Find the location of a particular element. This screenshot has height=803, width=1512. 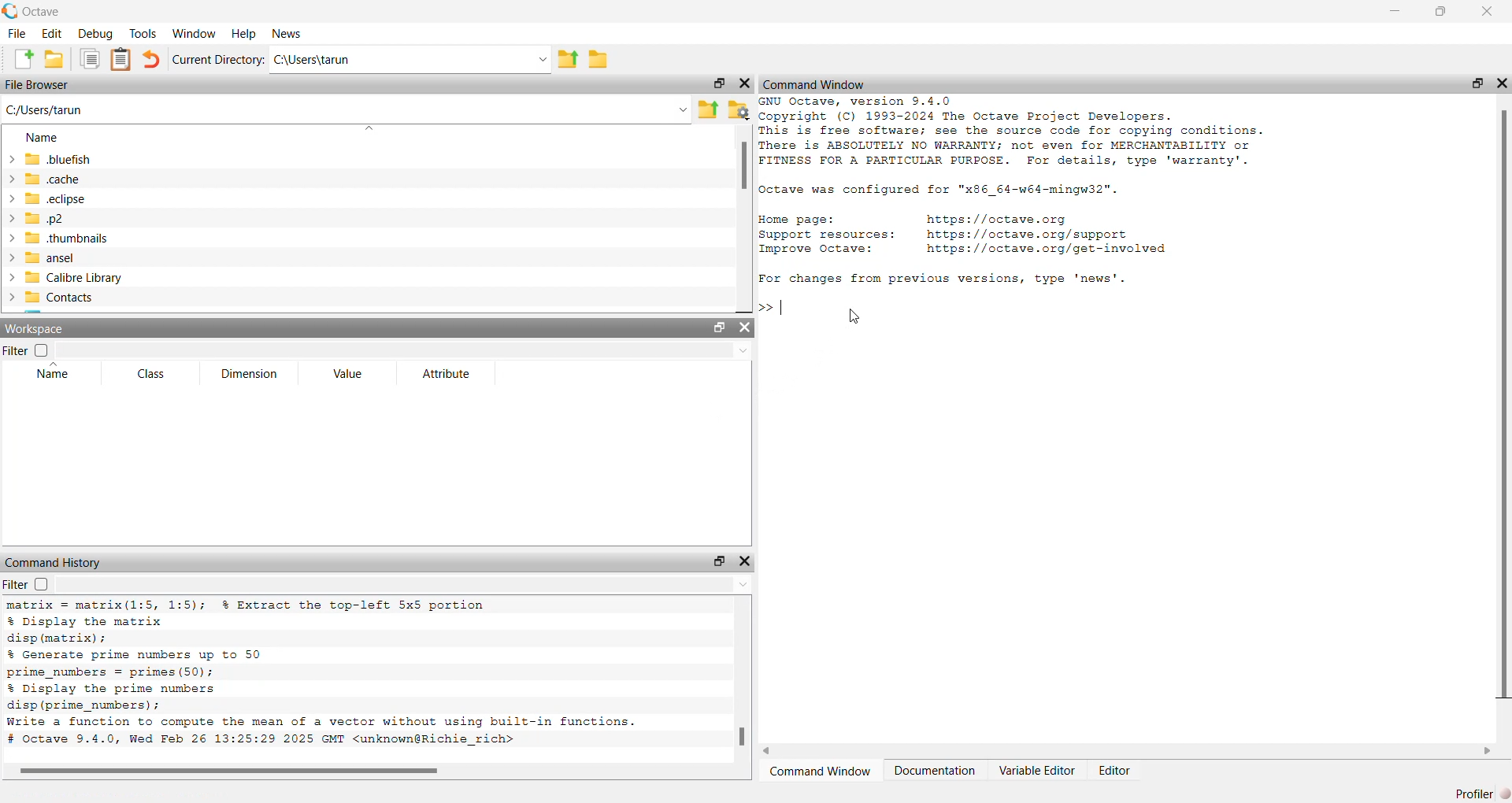

edit is located at coordinates (52, 33).